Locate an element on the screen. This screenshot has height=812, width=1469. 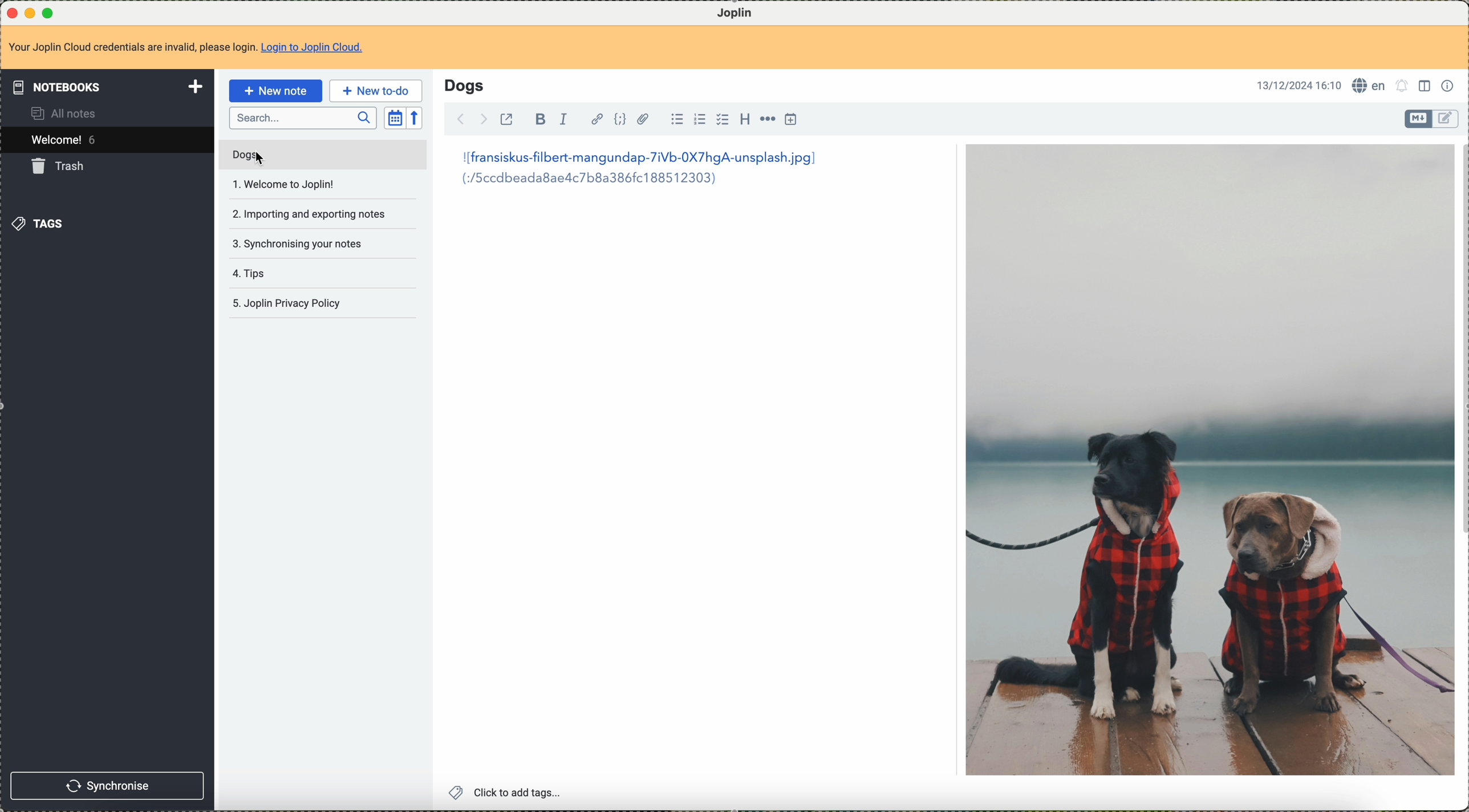
set alarm is located at coordinates (1404, 88).